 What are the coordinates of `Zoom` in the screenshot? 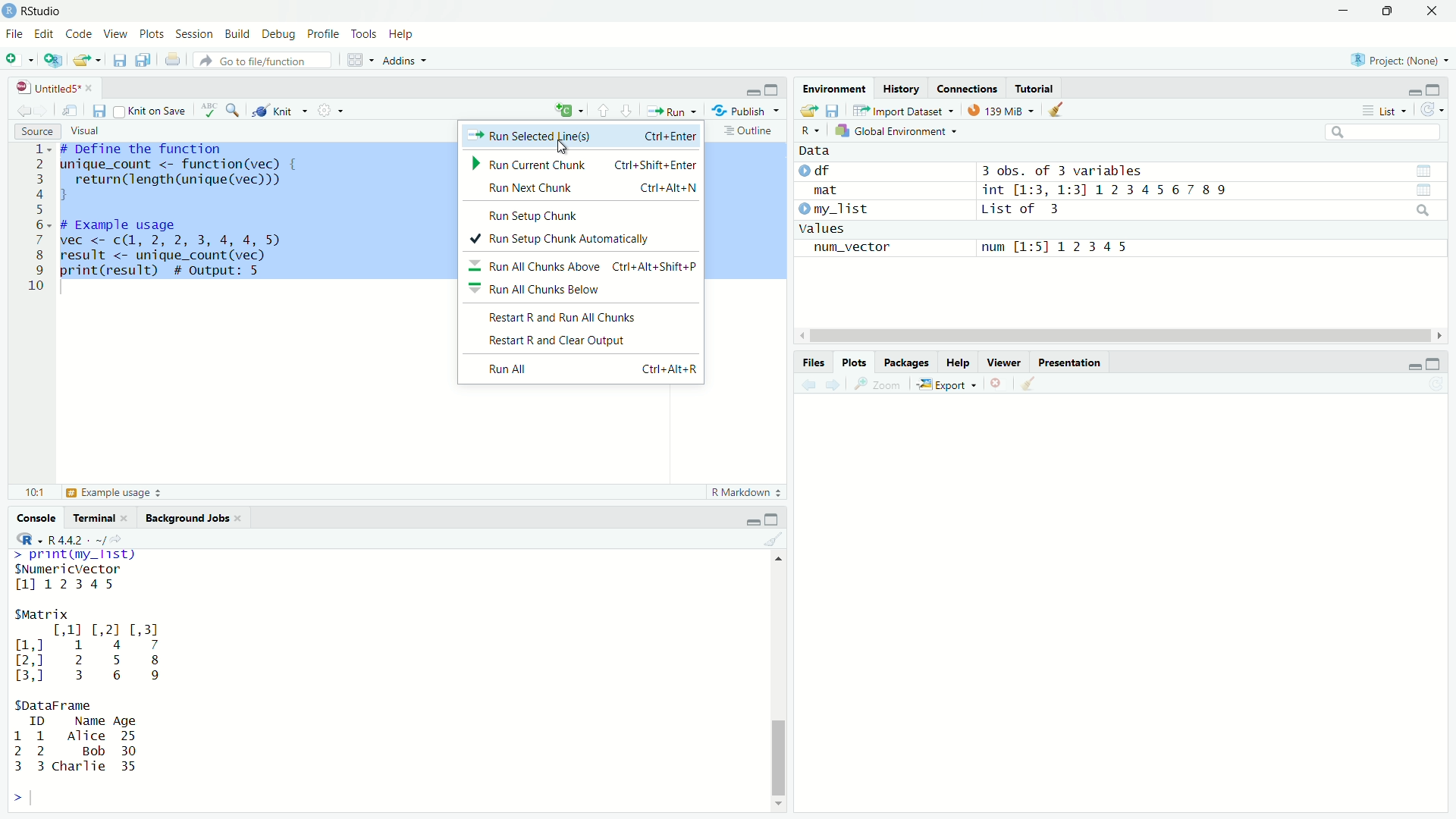 It's located at (882, 384).